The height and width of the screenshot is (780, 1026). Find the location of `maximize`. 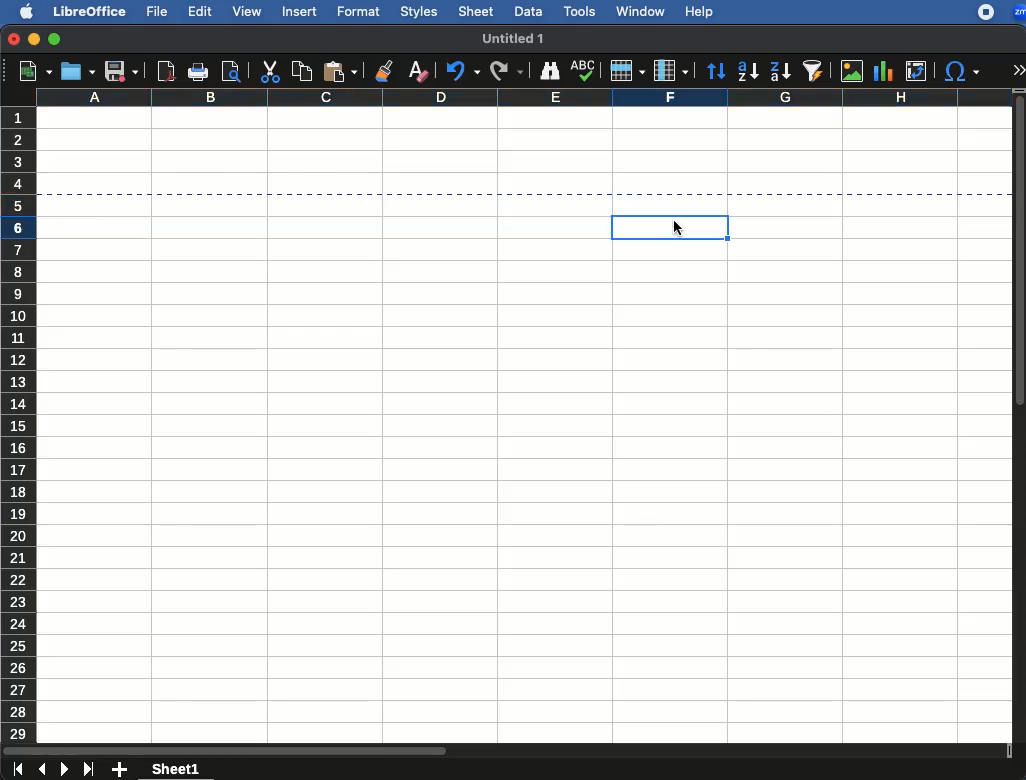

maximize is located at coordinates (54, 39).